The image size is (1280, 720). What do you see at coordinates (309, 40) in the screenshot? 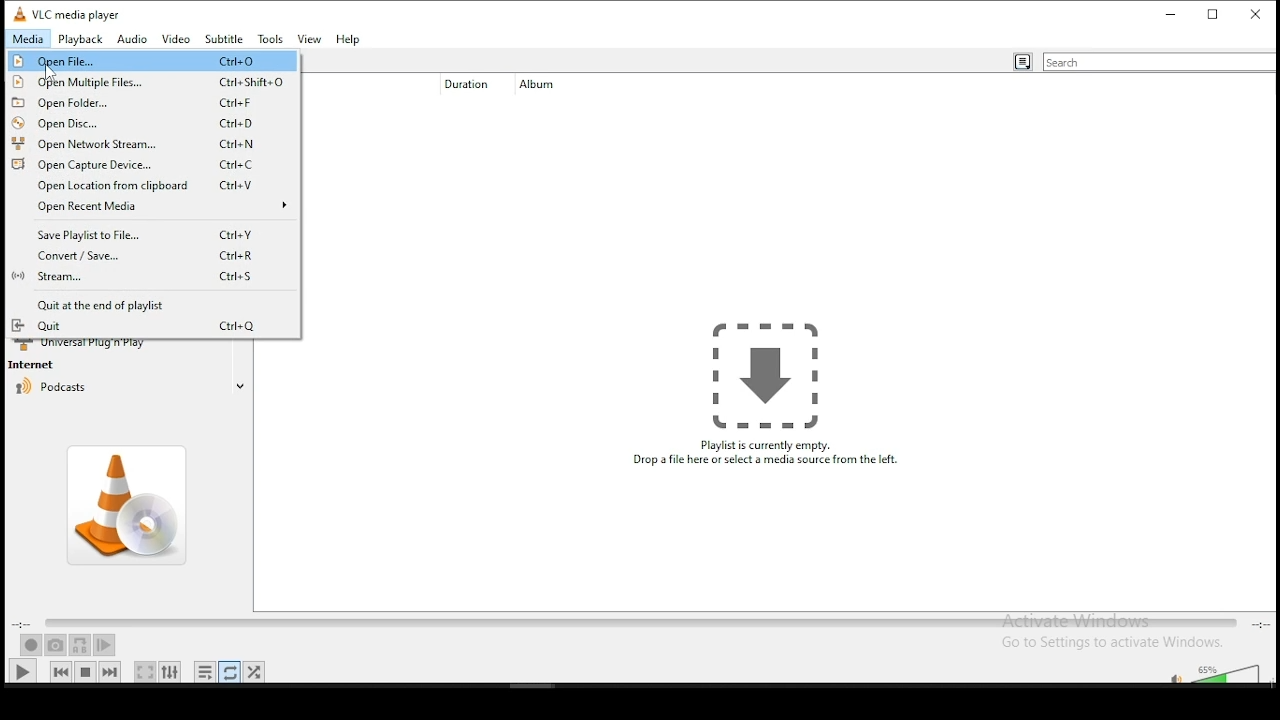
I see `view` at bounding box center [309, 40].